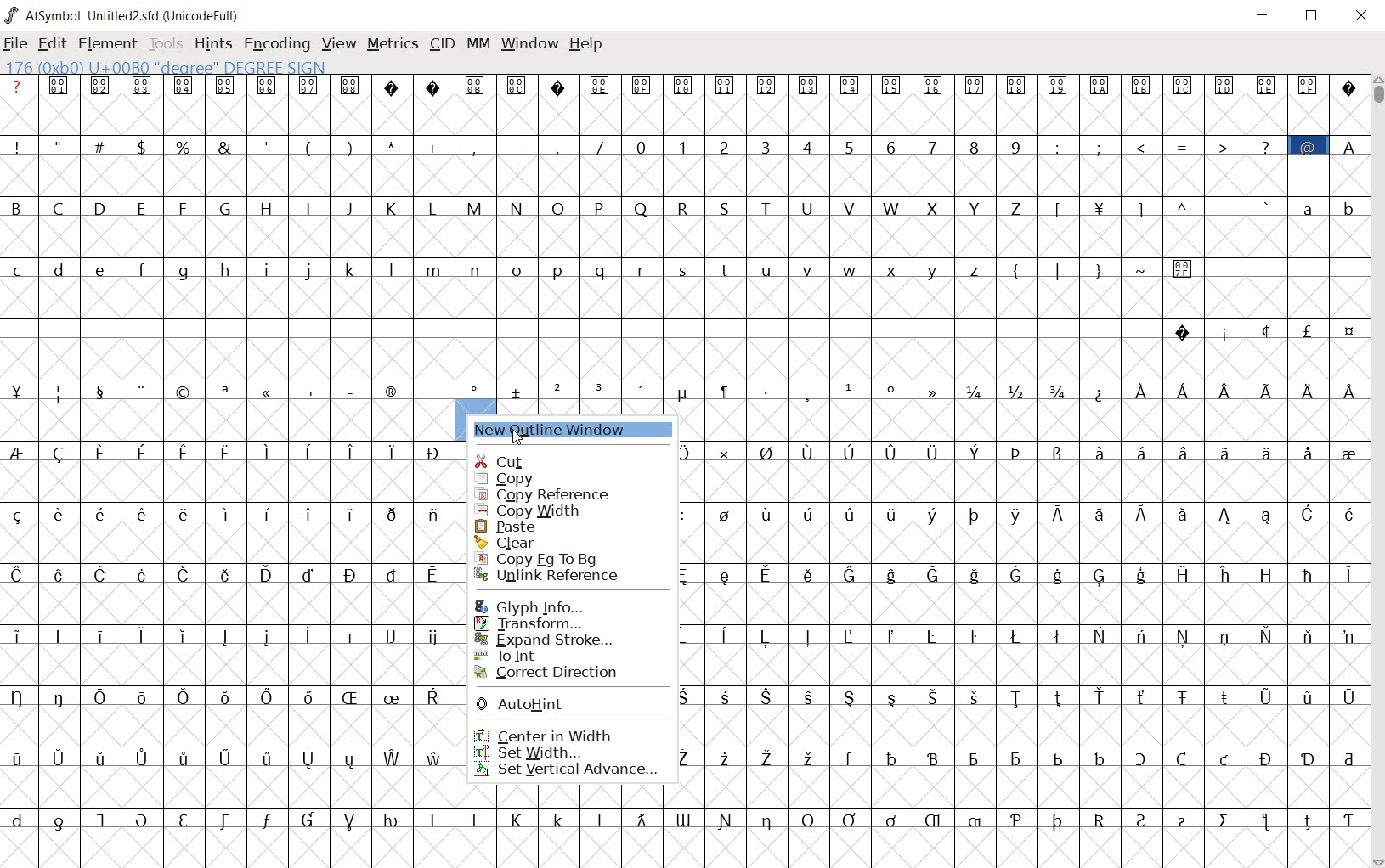  I want to click on Glyph Info, so click(565, 606).